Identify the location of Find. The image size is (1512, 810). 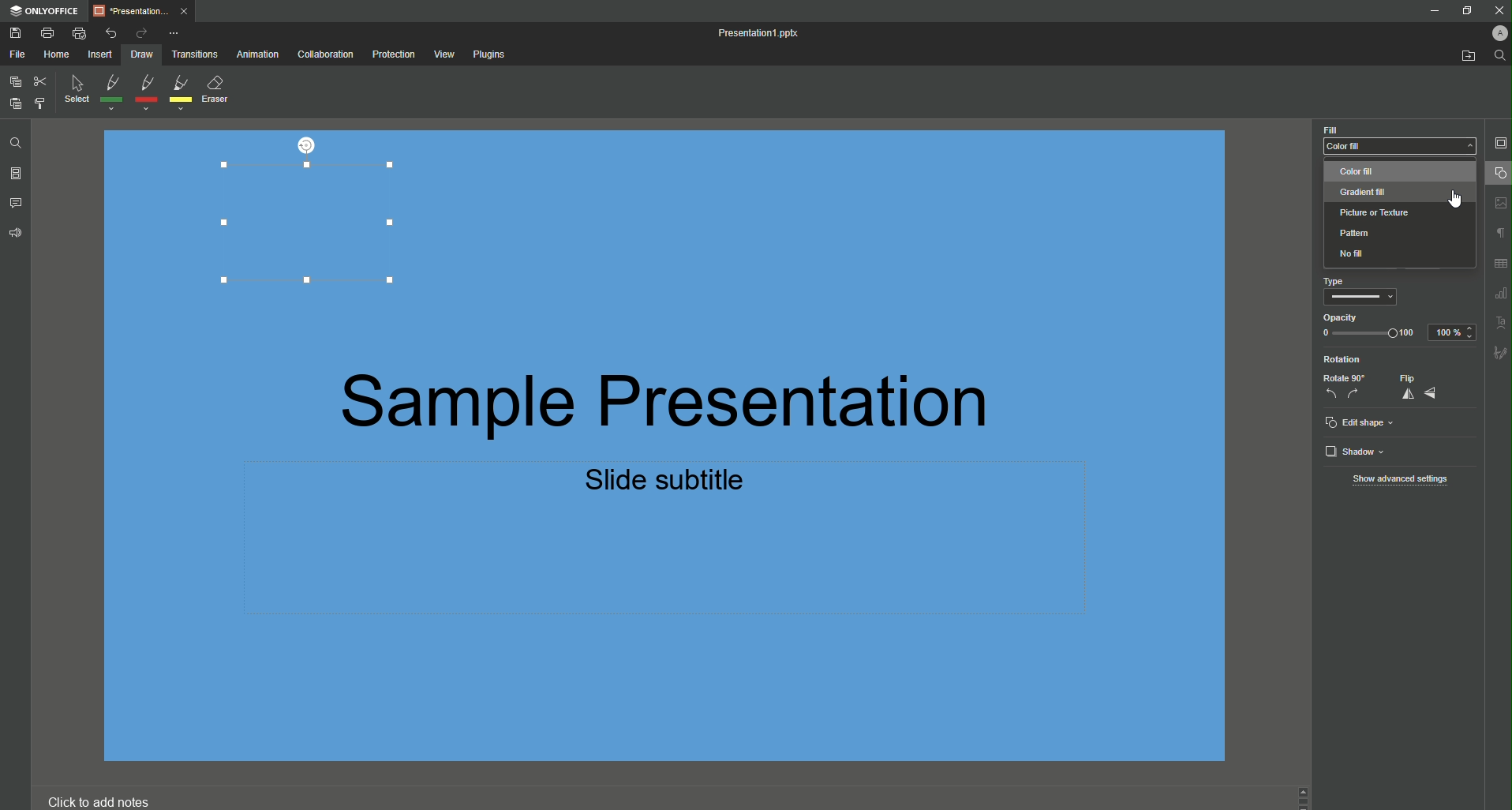
(13, 141).